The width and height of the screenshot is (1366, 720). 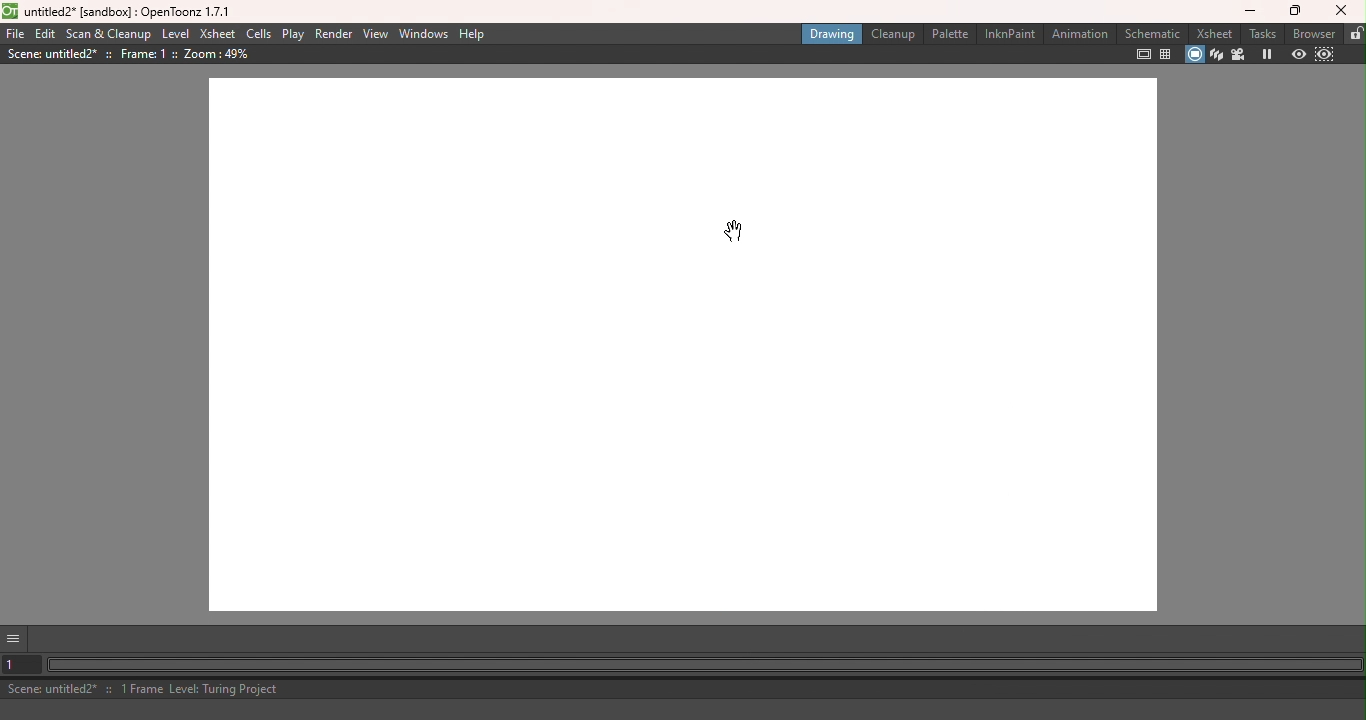 What do you see at coordinates (1219, 54) in the screenshot?
I see `3D view` at bounding box center [1219, 54].